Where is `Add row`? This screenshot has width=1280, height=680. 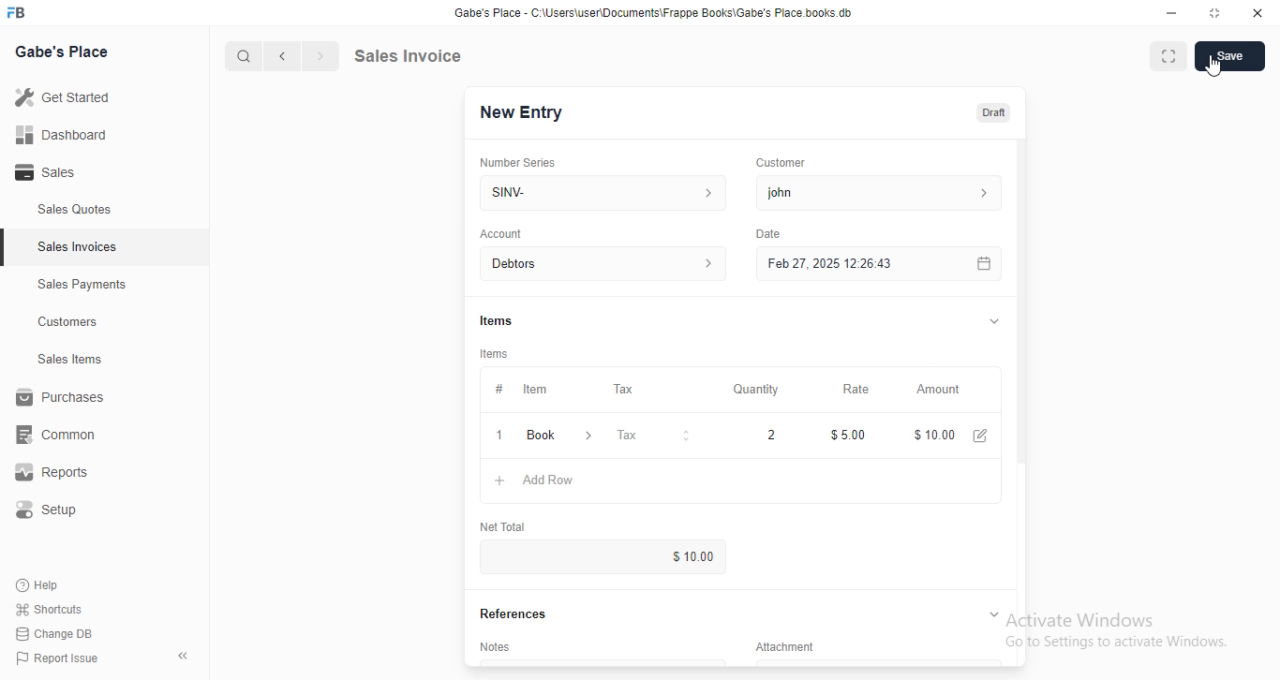 Add row is located at coordinates (533, 480).